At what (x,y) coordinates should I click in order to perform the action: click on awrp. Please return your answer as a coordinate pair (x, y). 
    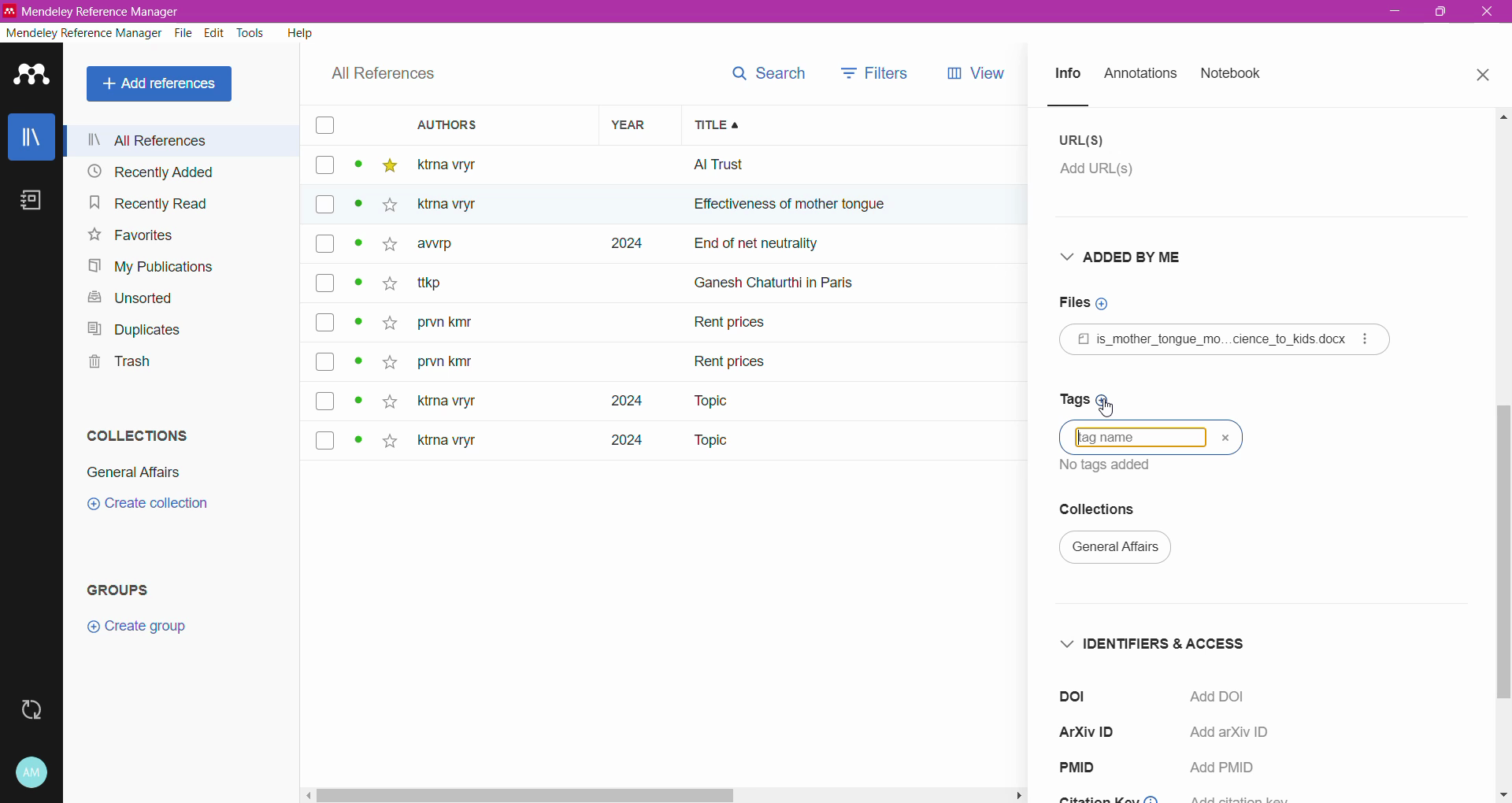
    Looking at the image, I should click on (447, 249).